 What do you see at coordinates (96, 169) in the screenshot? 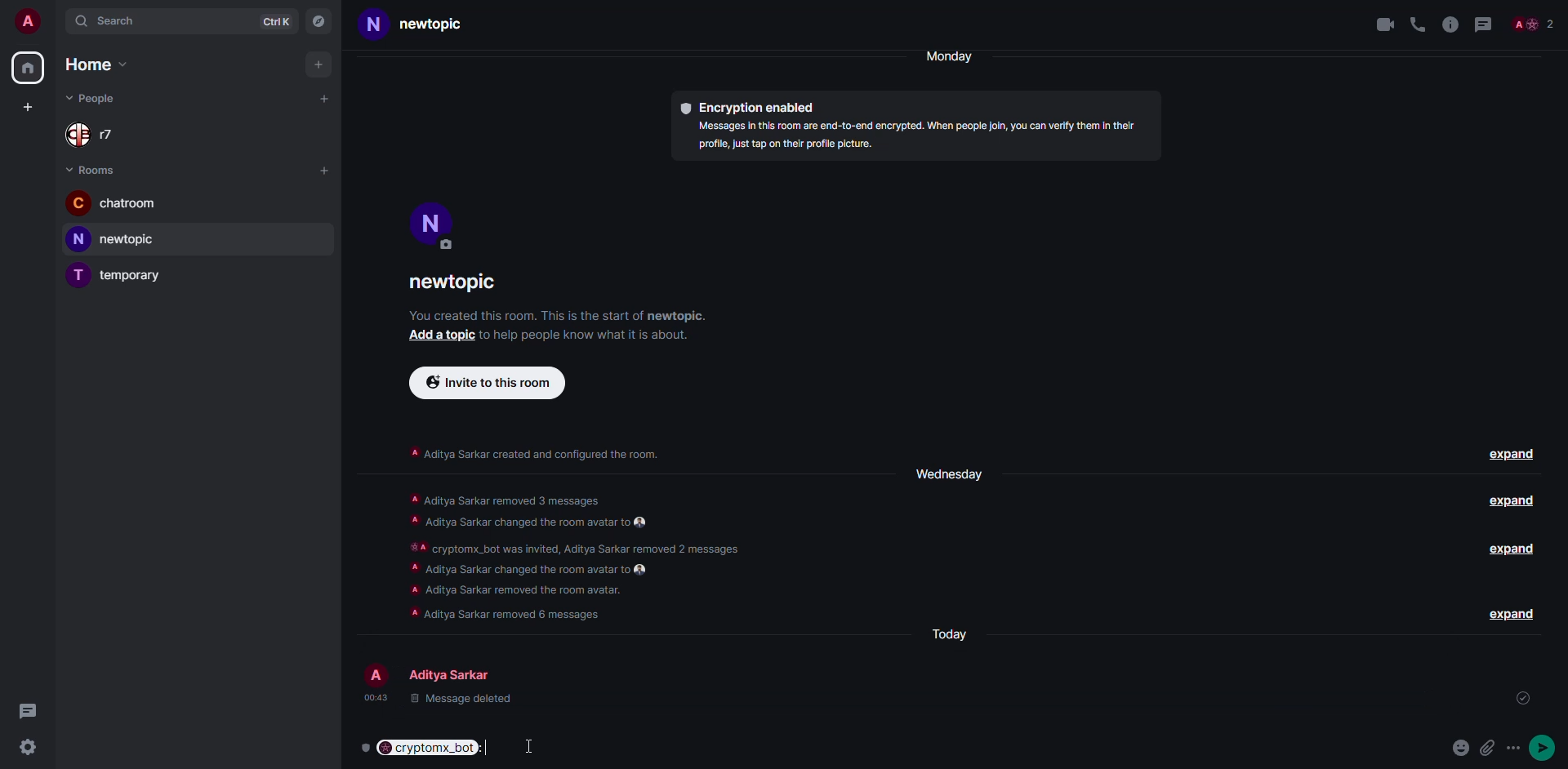
I see `rooms` at bounding box center [96, 169].